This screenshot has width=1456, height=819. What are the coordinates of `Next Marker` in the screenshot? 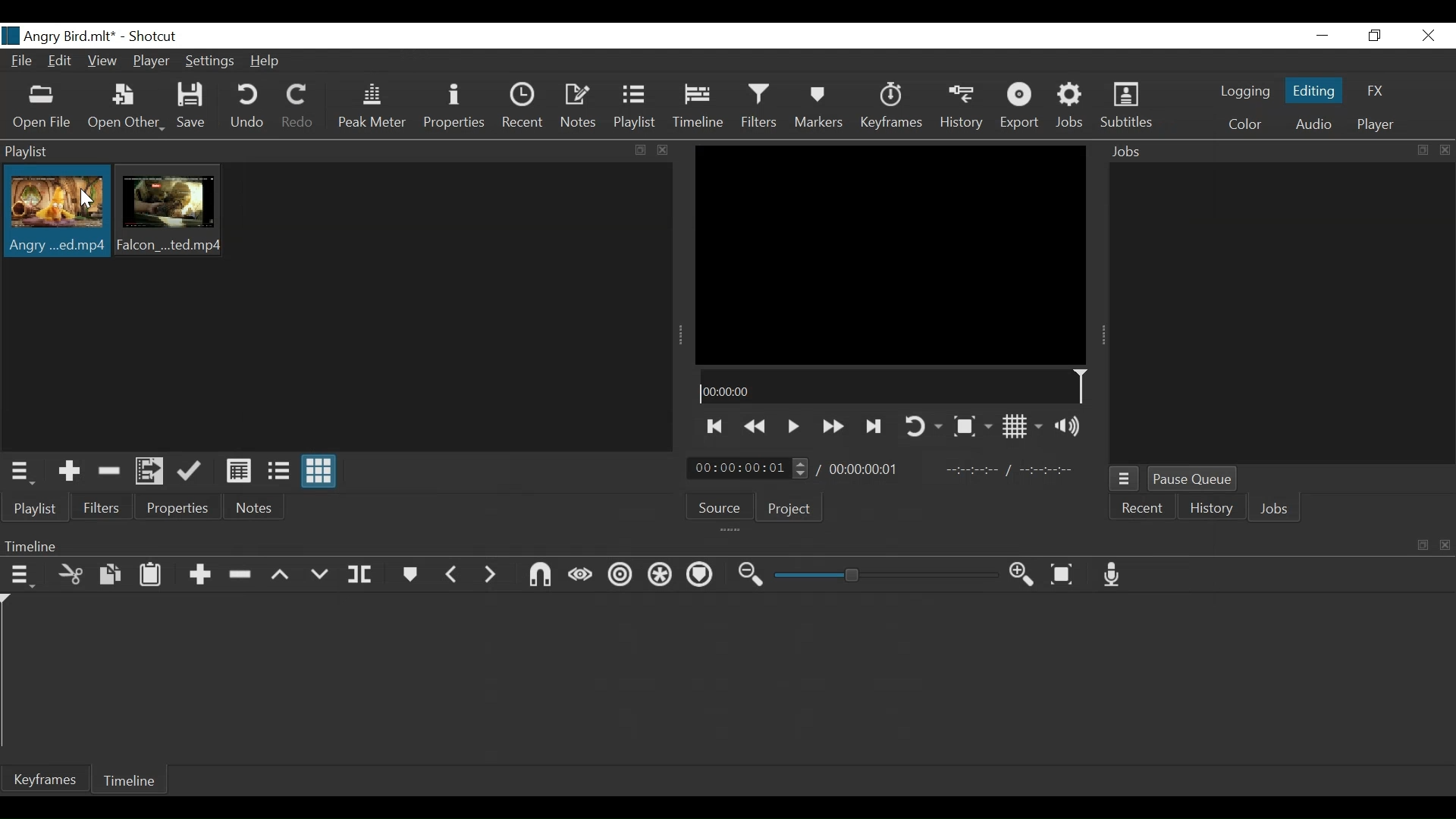 It's located at (491, 576).